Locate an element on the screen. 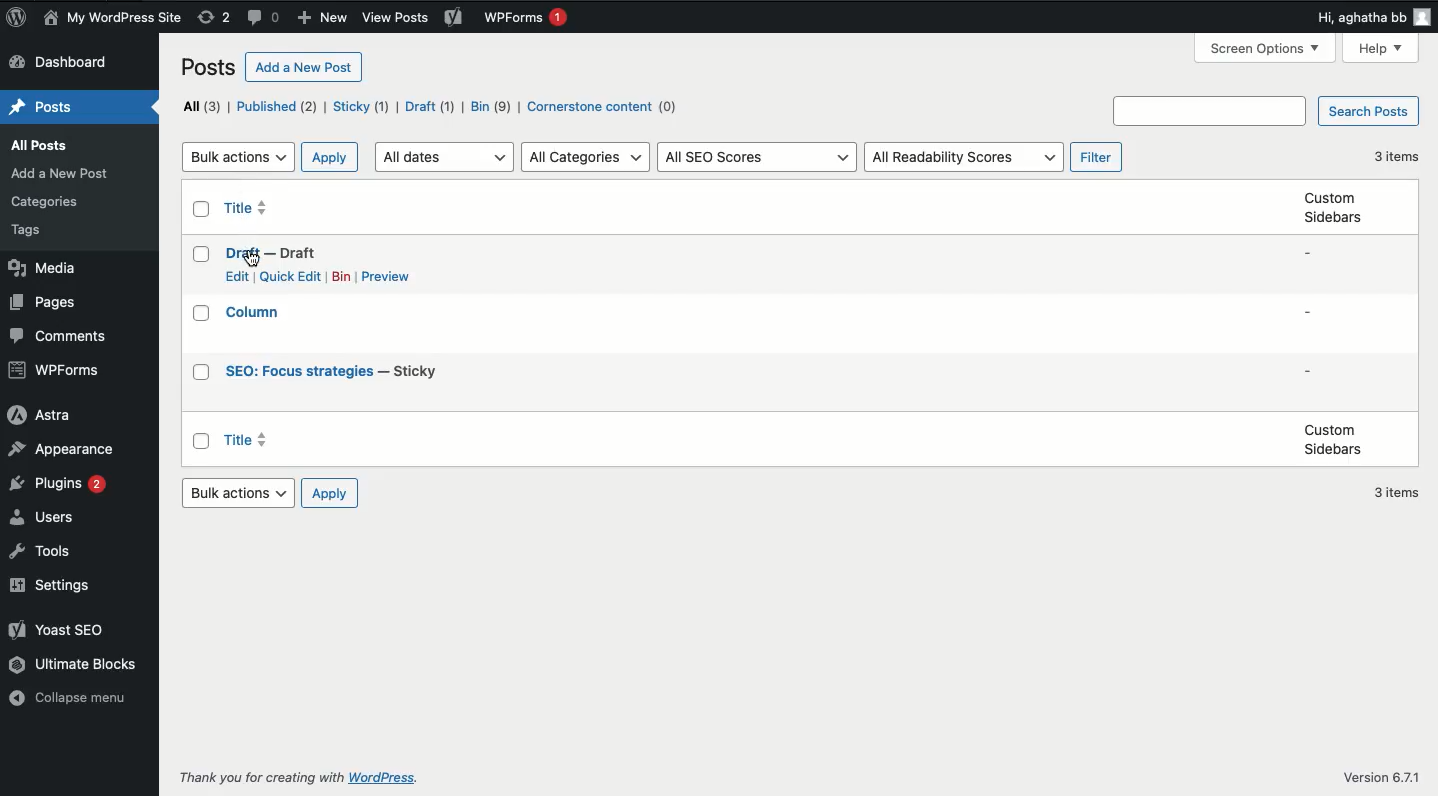 This screenshot has width=1438, height=796. Checkbox is located at coordinates (203, 372).